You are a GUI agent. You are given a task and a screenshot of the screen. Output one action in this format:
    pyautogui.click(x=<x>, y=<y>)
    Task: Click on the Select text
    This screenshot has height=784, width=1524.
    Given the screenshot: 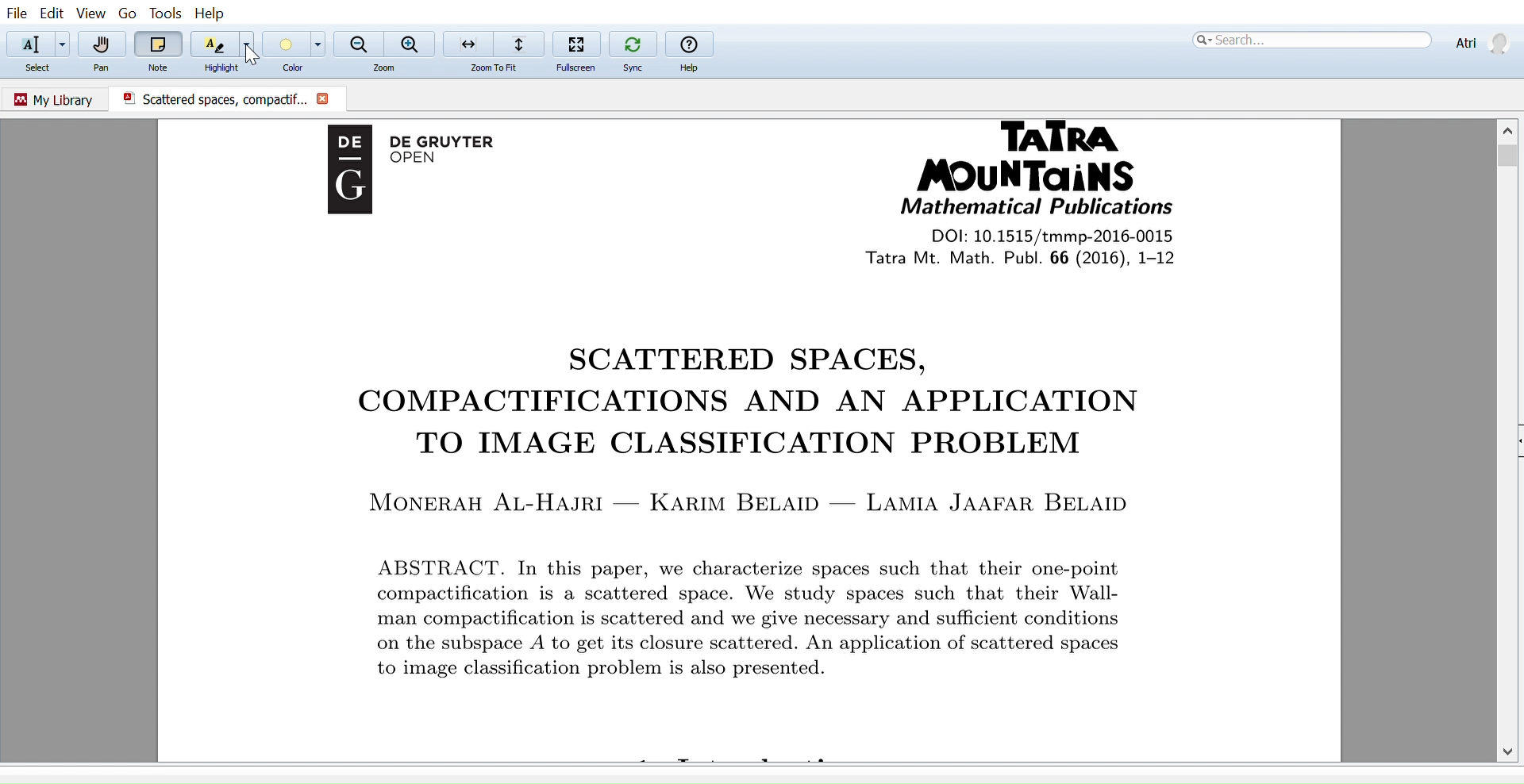 What is the action you would take?
    pyautogui.click(x=27, y=44)
    